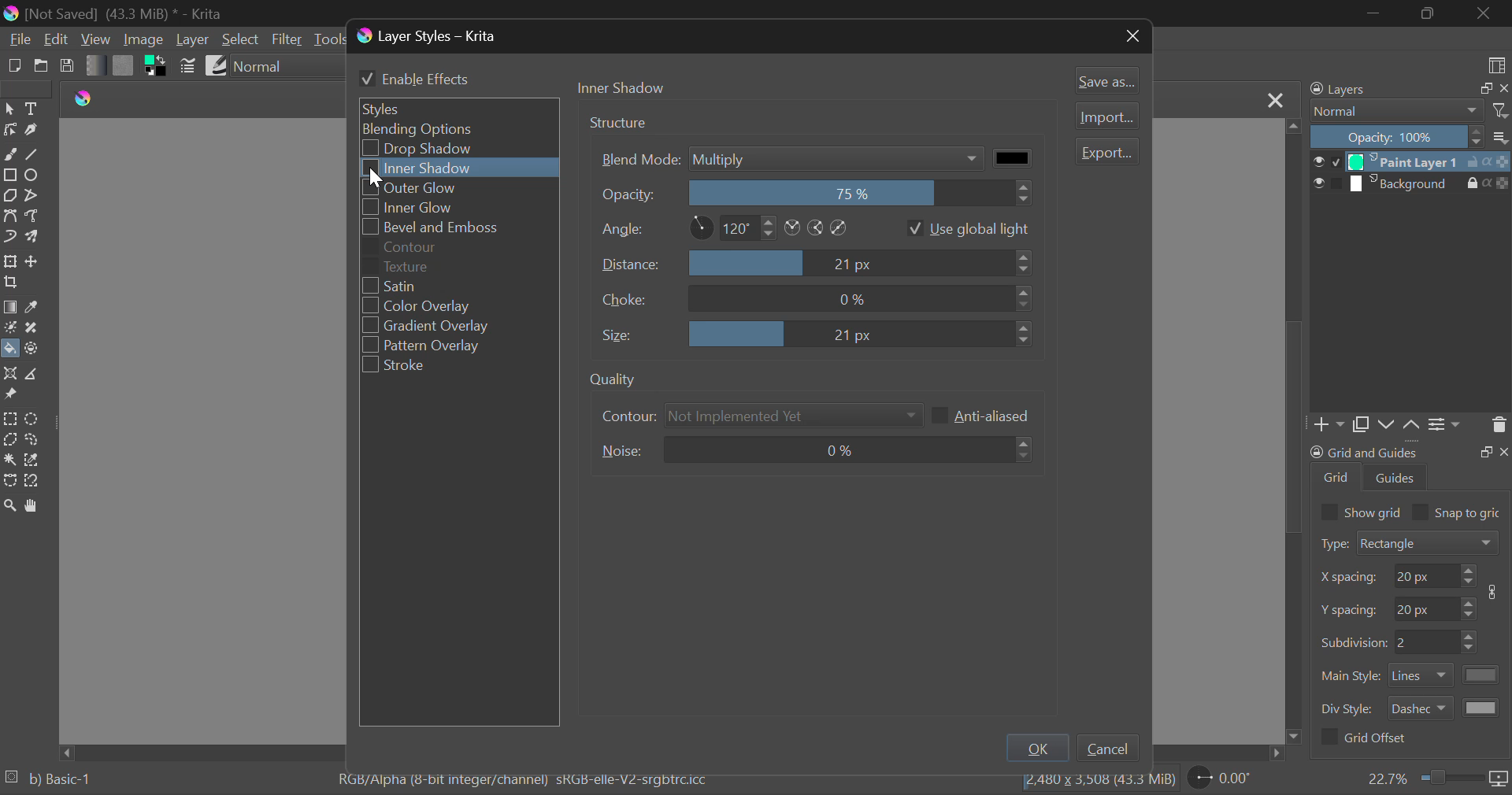 This screenshot has width=1512, height=795. I want to click on Text, so click(31, 109).